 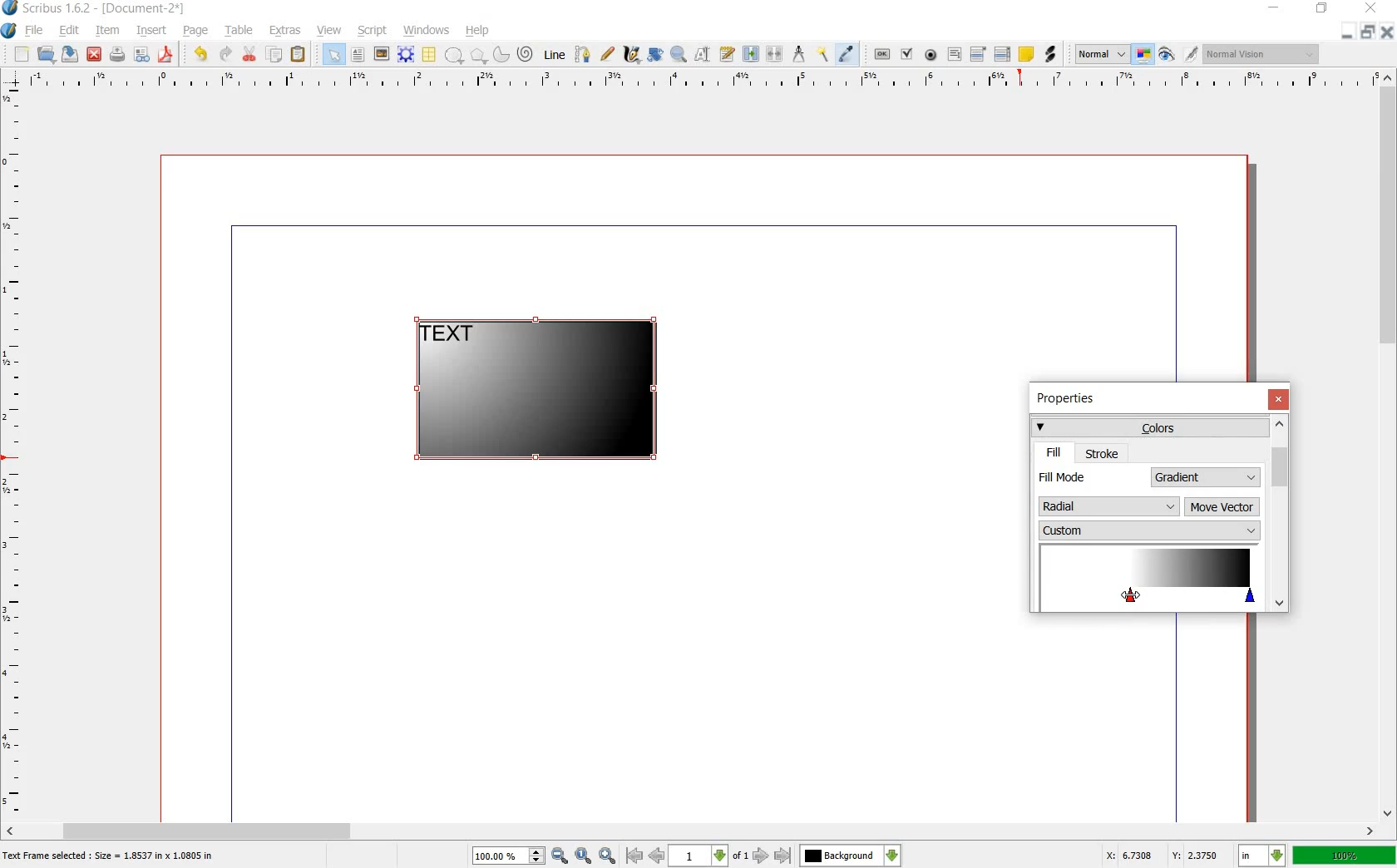 What do you see at coordinates (70, 31) in the screenshot?
I see `edit` at bounding box center [70, 31].